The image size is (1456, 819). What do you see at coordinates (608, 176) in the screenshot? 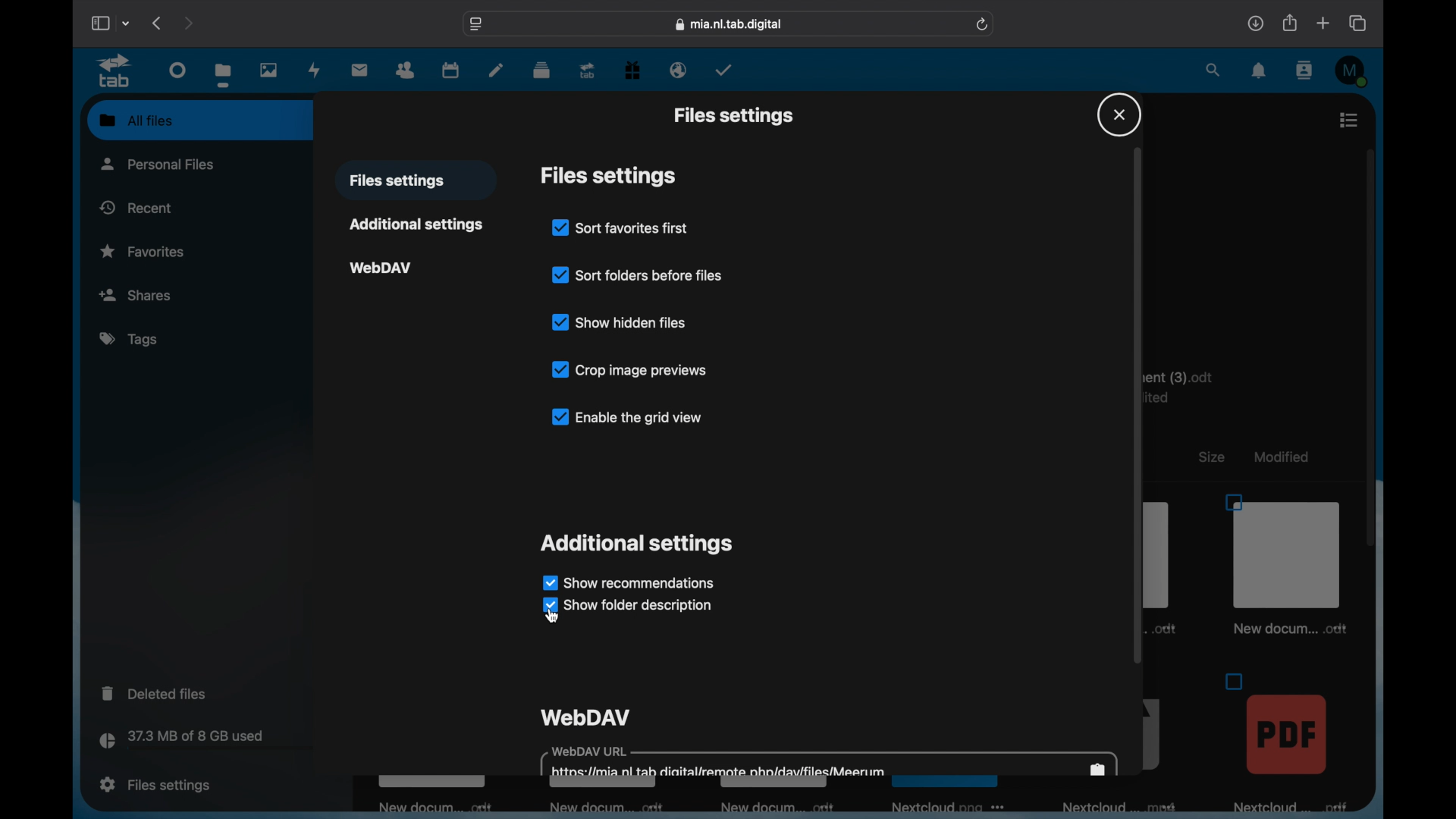
I see `files settings` at bounding box center [608, 176].